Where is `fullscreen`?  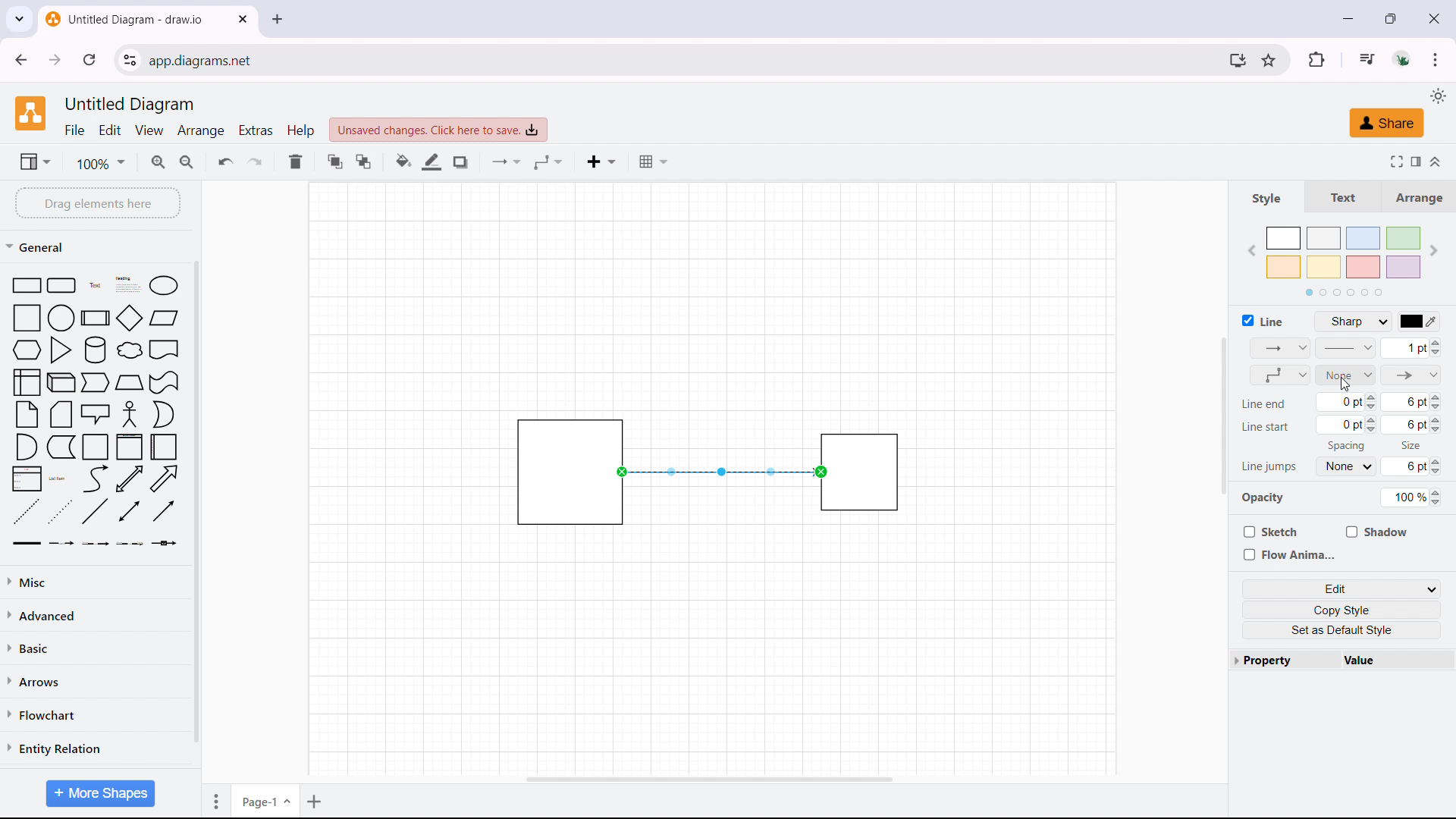 fullscreen is located at coordinates (1394, 161).